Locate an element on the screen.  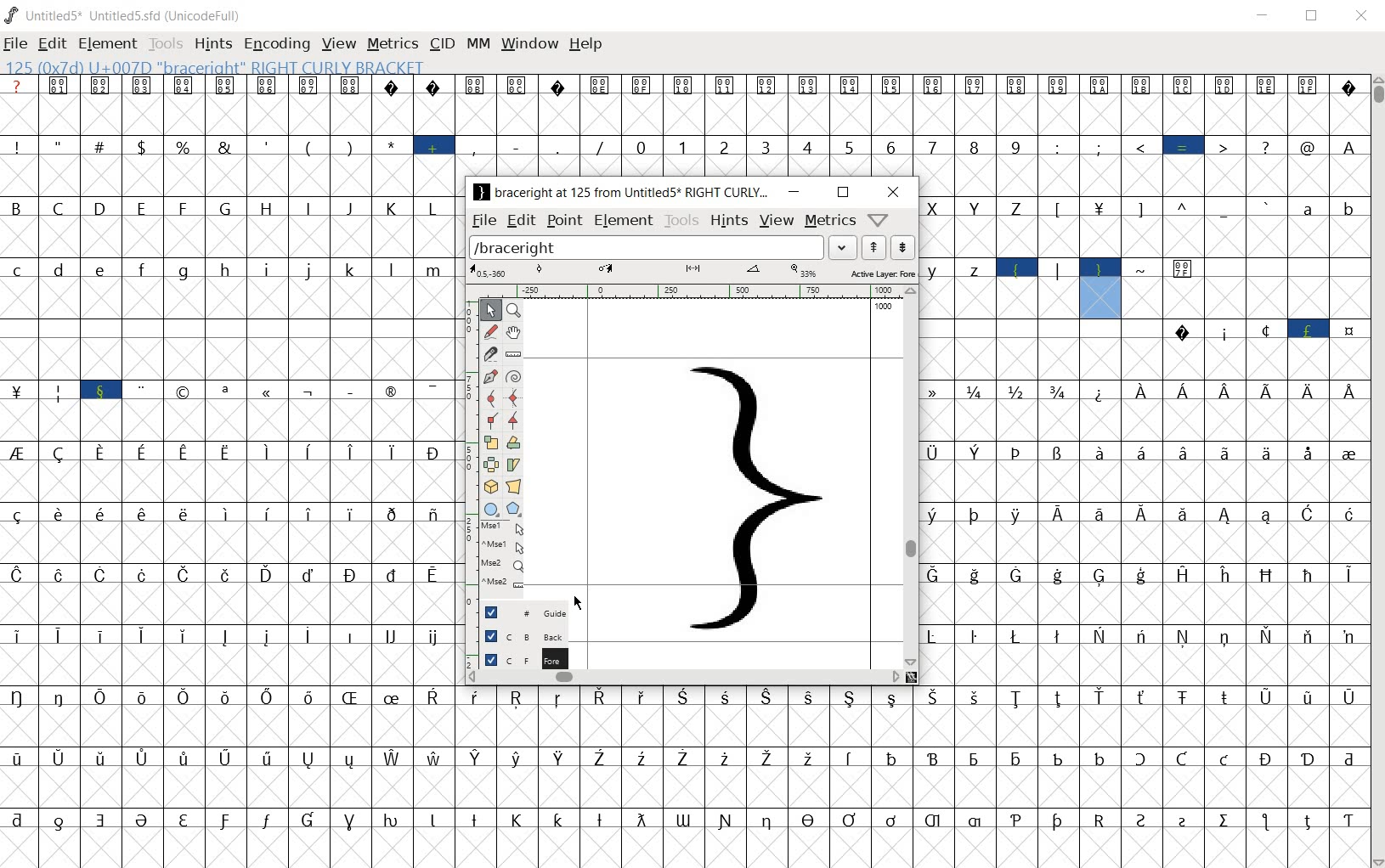
glyph characters is located at coordinates (1144, 502).